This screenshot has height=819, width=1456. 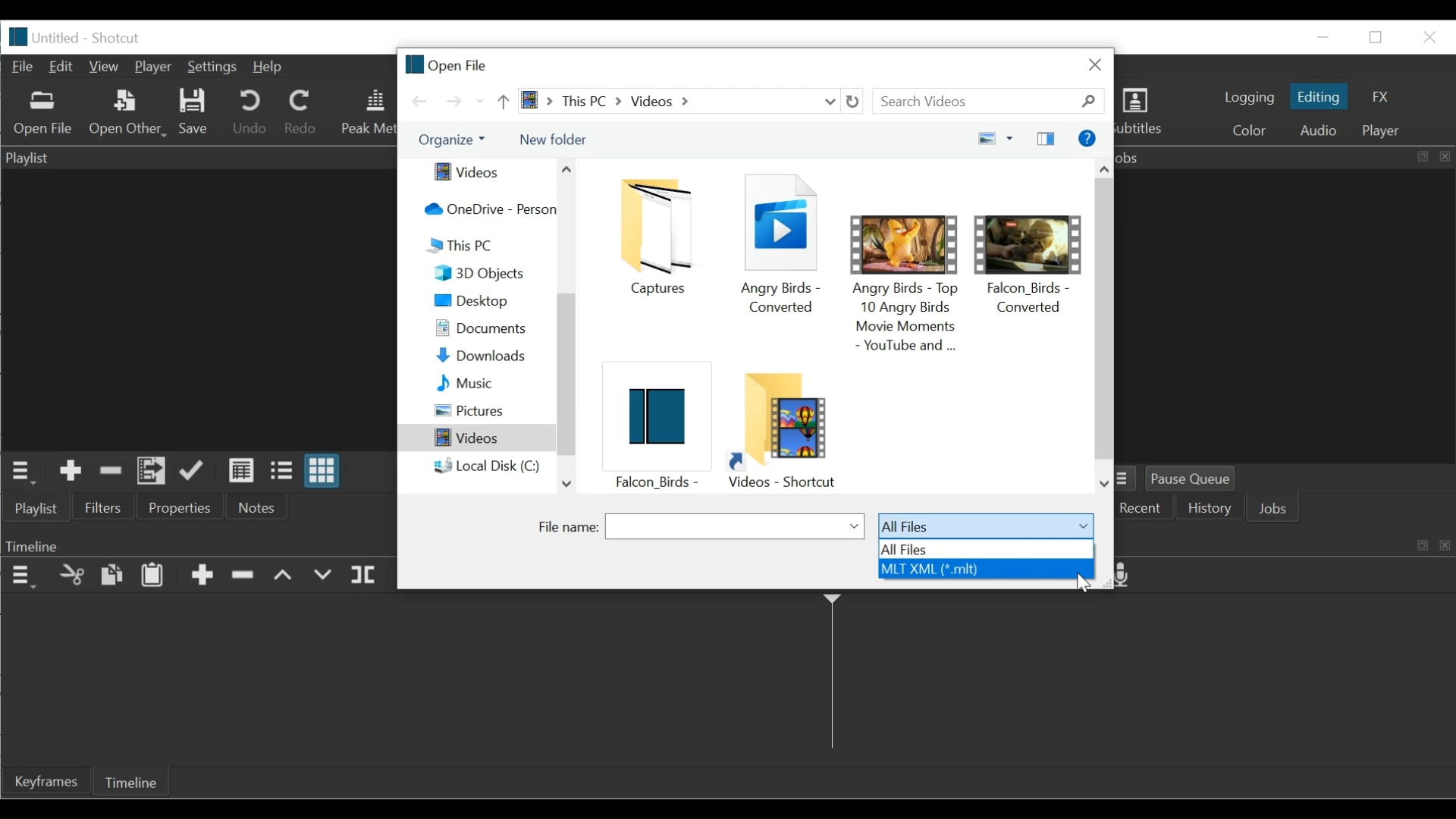 What do you see at coordinates (1247, 99) in the screenshot?
I see `logging` at bounding box center [1247, 99].